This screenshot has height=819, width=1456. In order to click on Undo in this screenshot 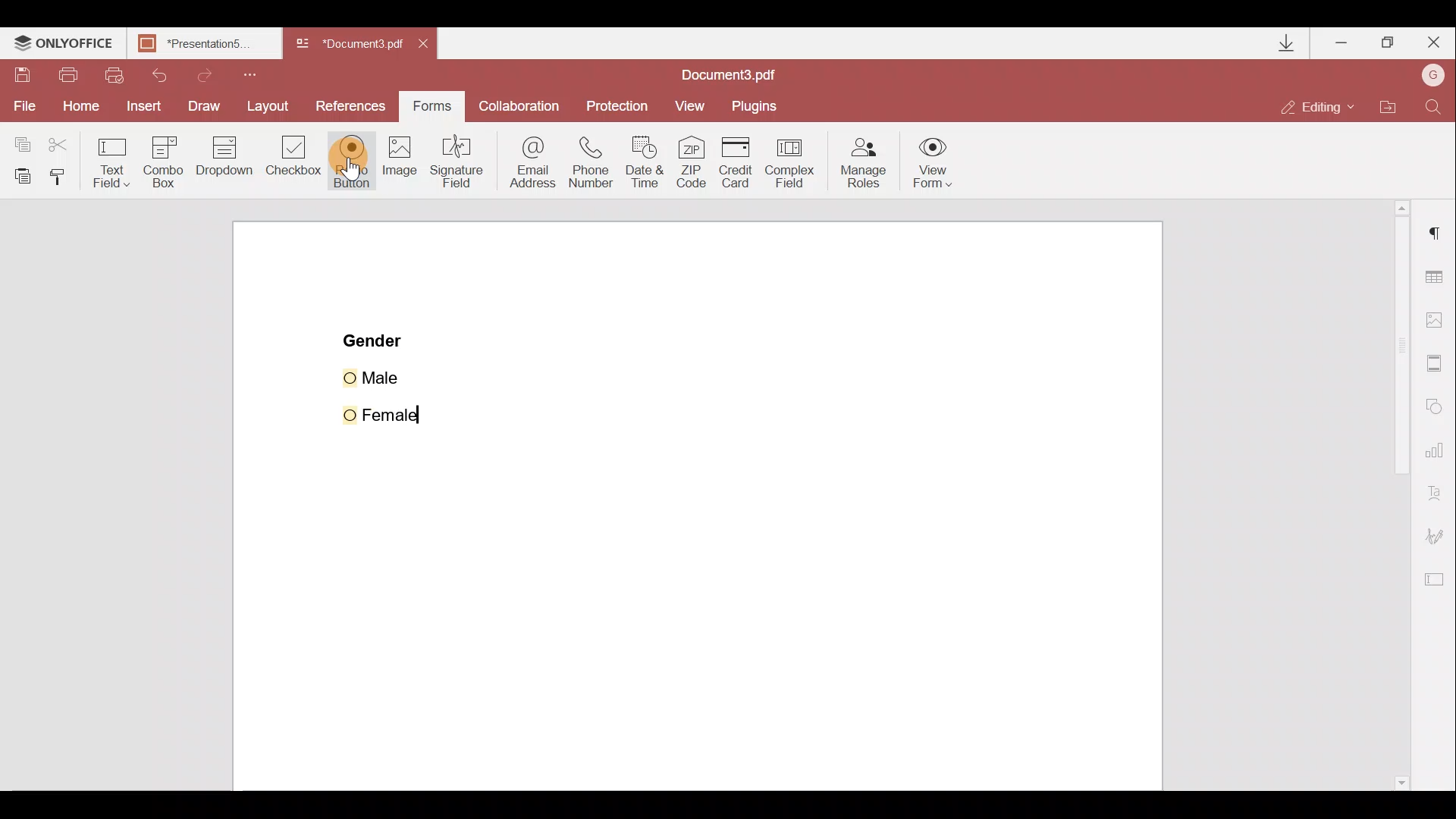, I will do `click(167, 74)`.